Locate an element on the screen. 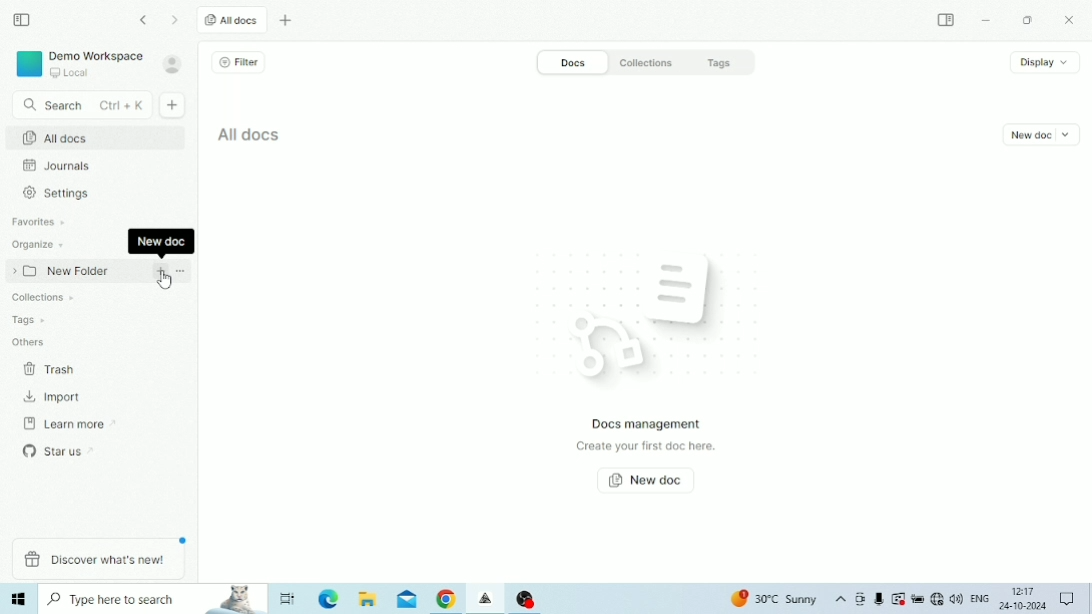 Image resolution: width=1092 pixels, height=614 pixels. Tags is located at coordinates (28, 322).